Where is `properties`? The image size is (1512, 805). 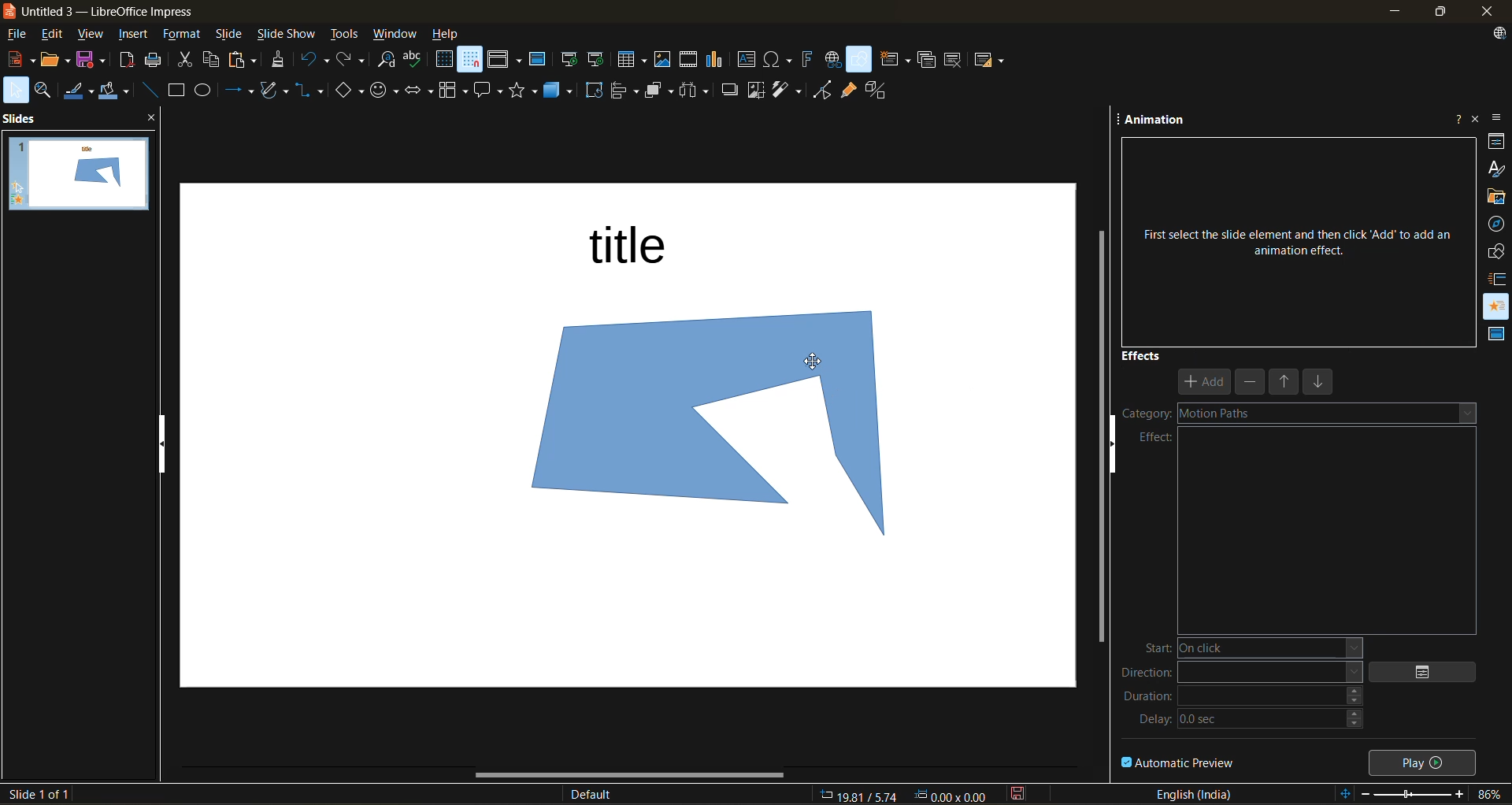
properties is located at coordinates (1495, 140).